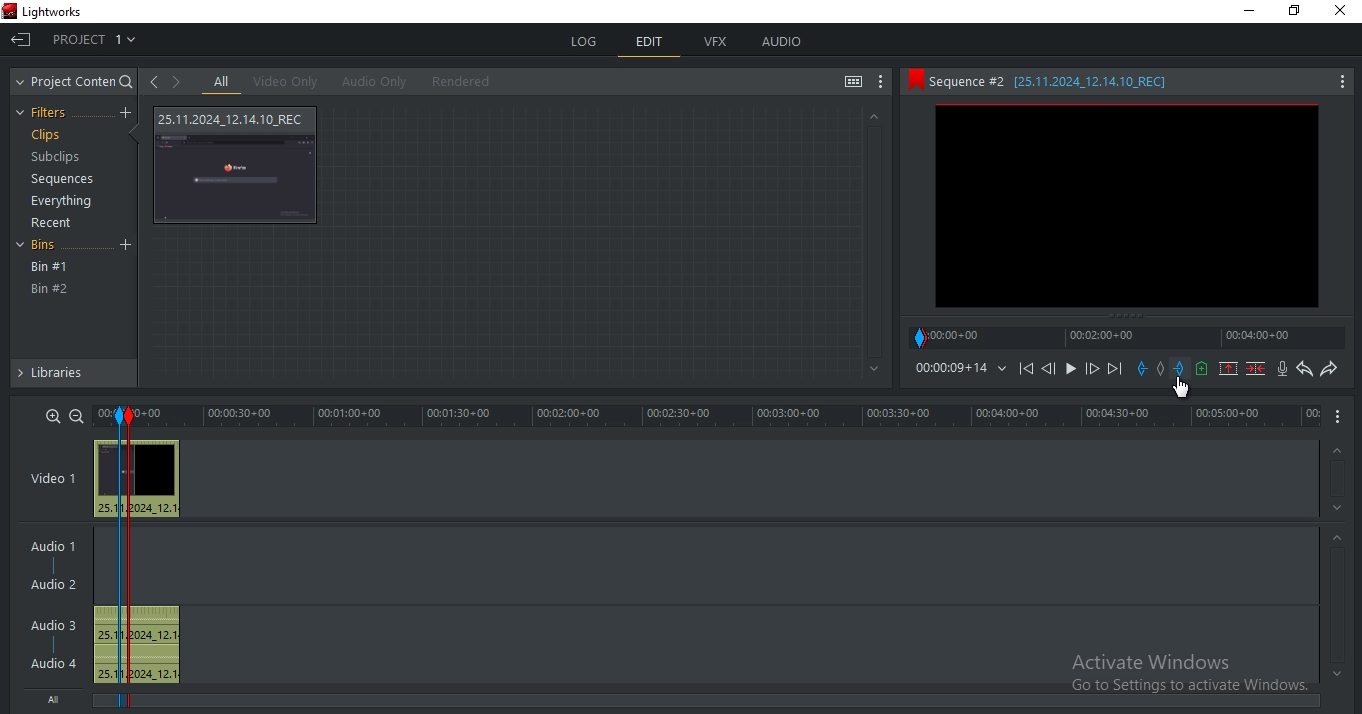 This screenshot has height=714, width=1362. What do you see at coordinates (128, 246) in the screenshot?
I see `Add Bin` at bounding box center [128, 246].